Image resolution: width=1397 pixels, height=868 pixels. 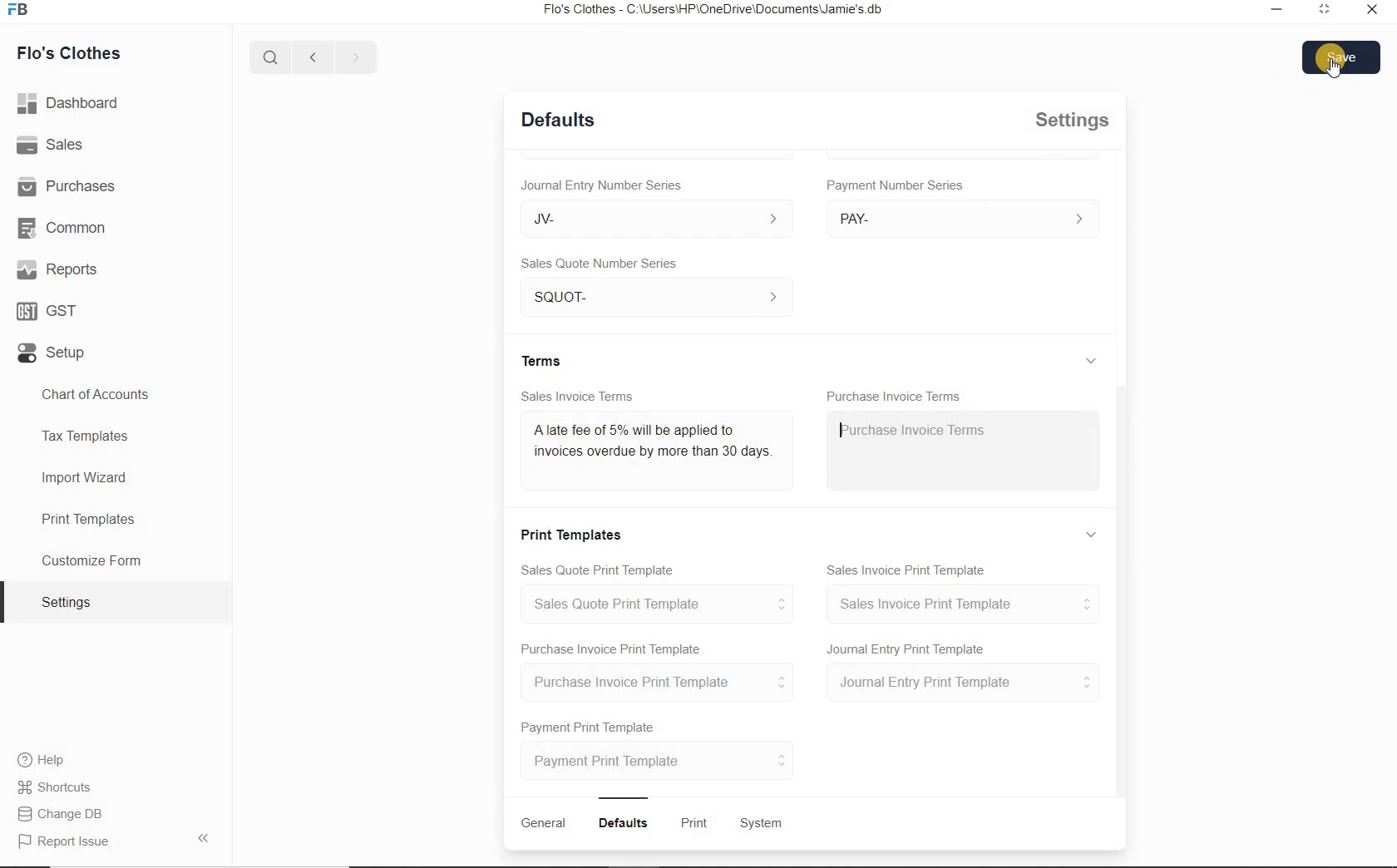 What do you see at coordinates (558, 118) in the screenshot?
I see `Defaults` at bounding box center [558, 118].